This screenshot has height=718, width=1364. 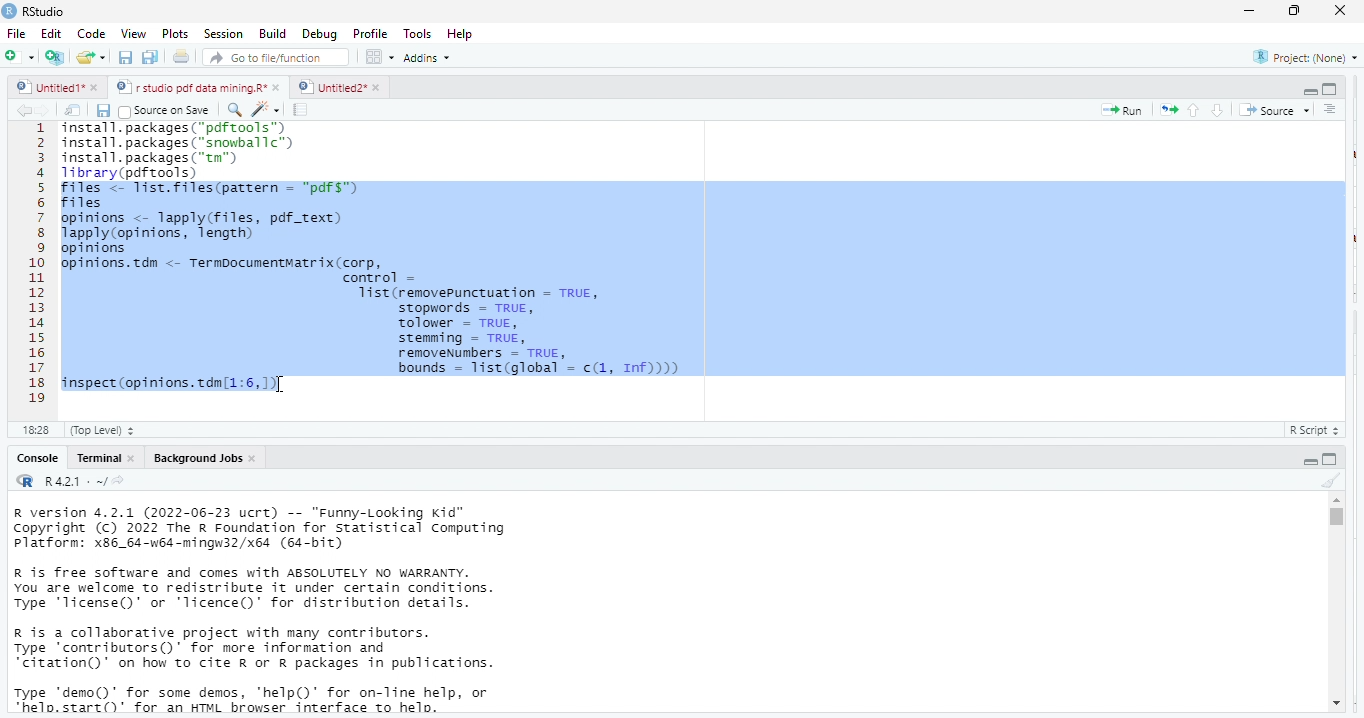 I want to click on rs studio logo, so click(x=9, y=10).